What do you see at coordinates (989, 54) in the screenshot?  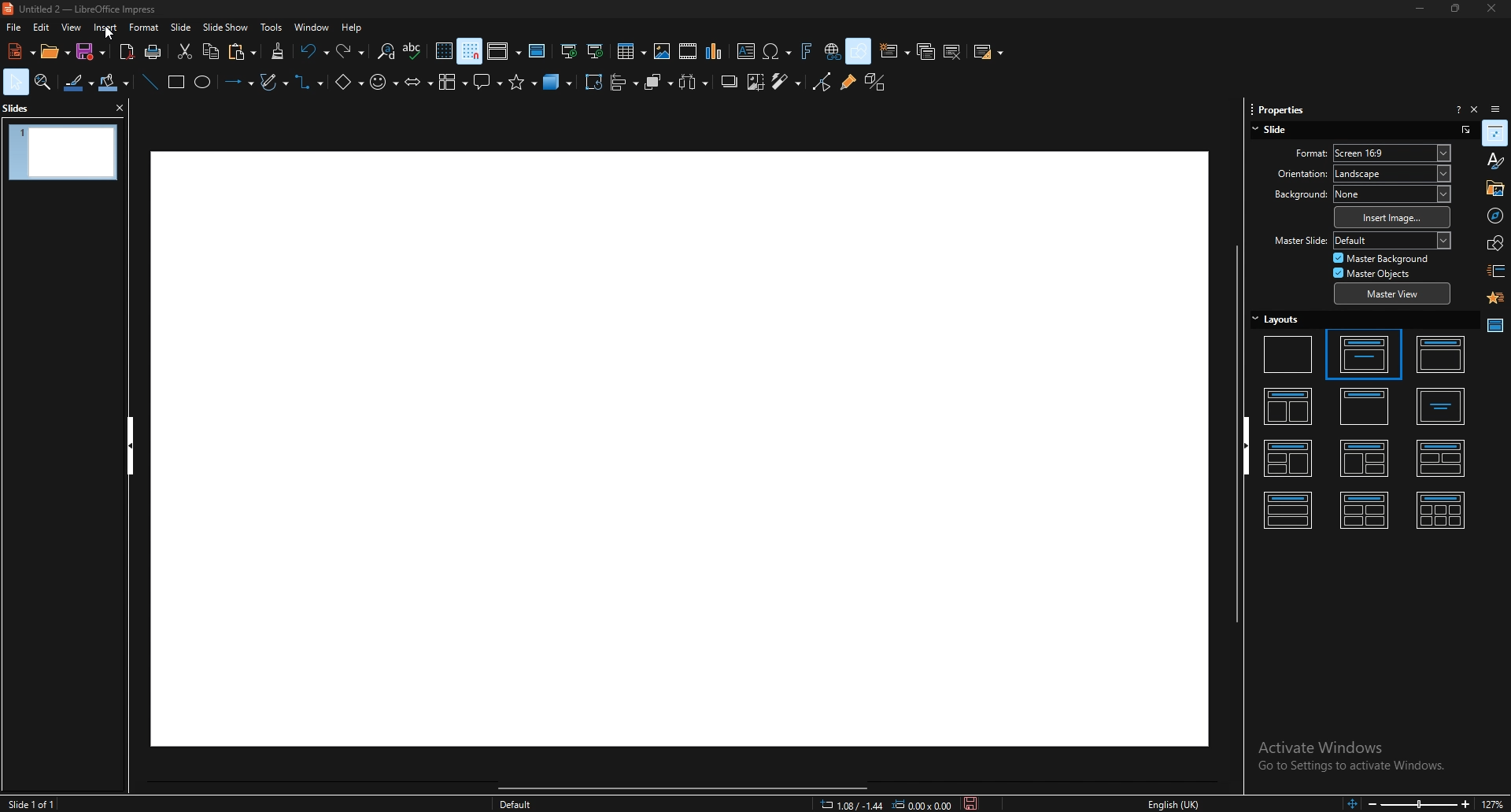 I see `slide layout` at bounding box center [989, 54].